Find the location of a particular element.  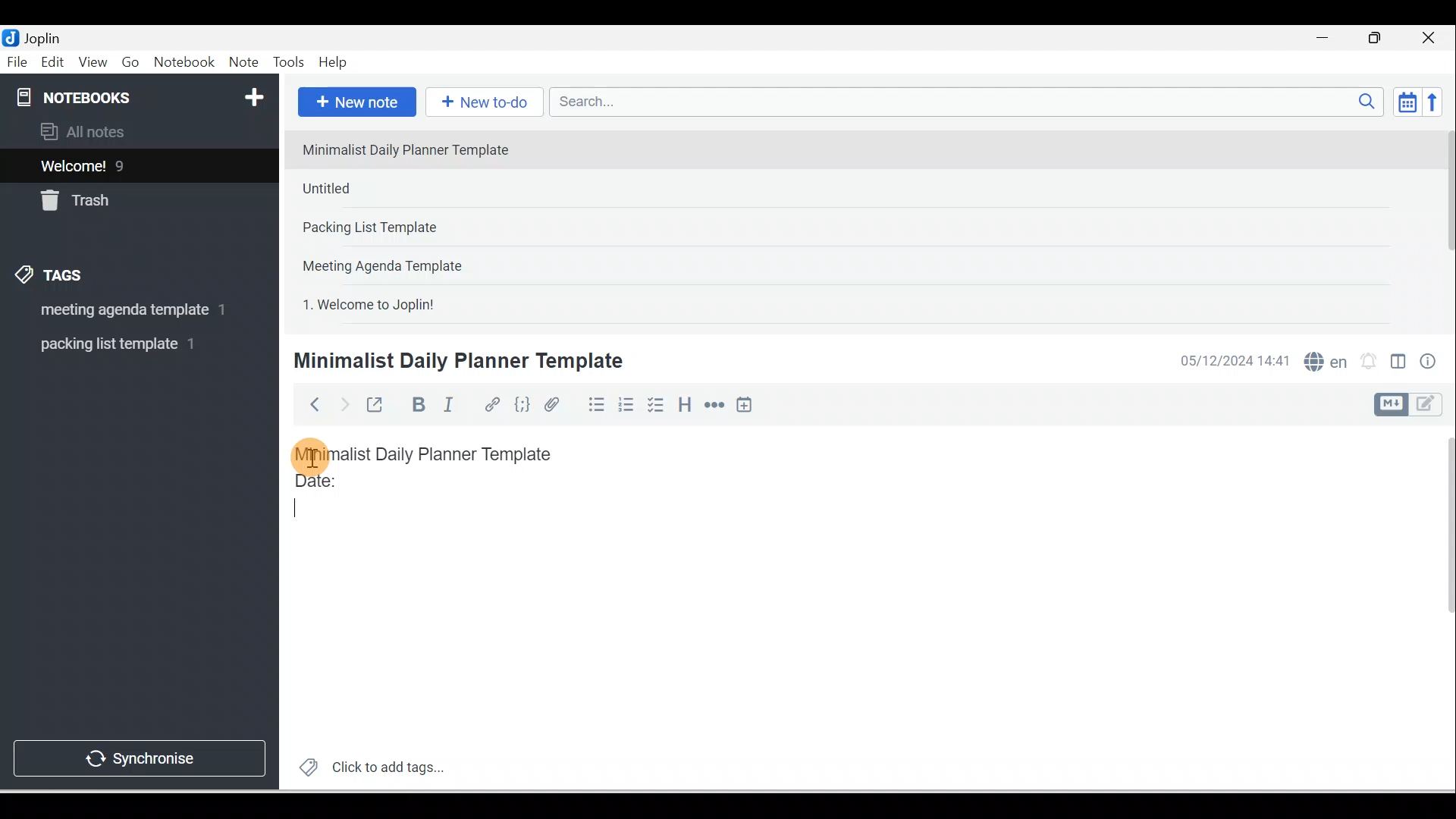

Tags is located at coordinates (54, 278).